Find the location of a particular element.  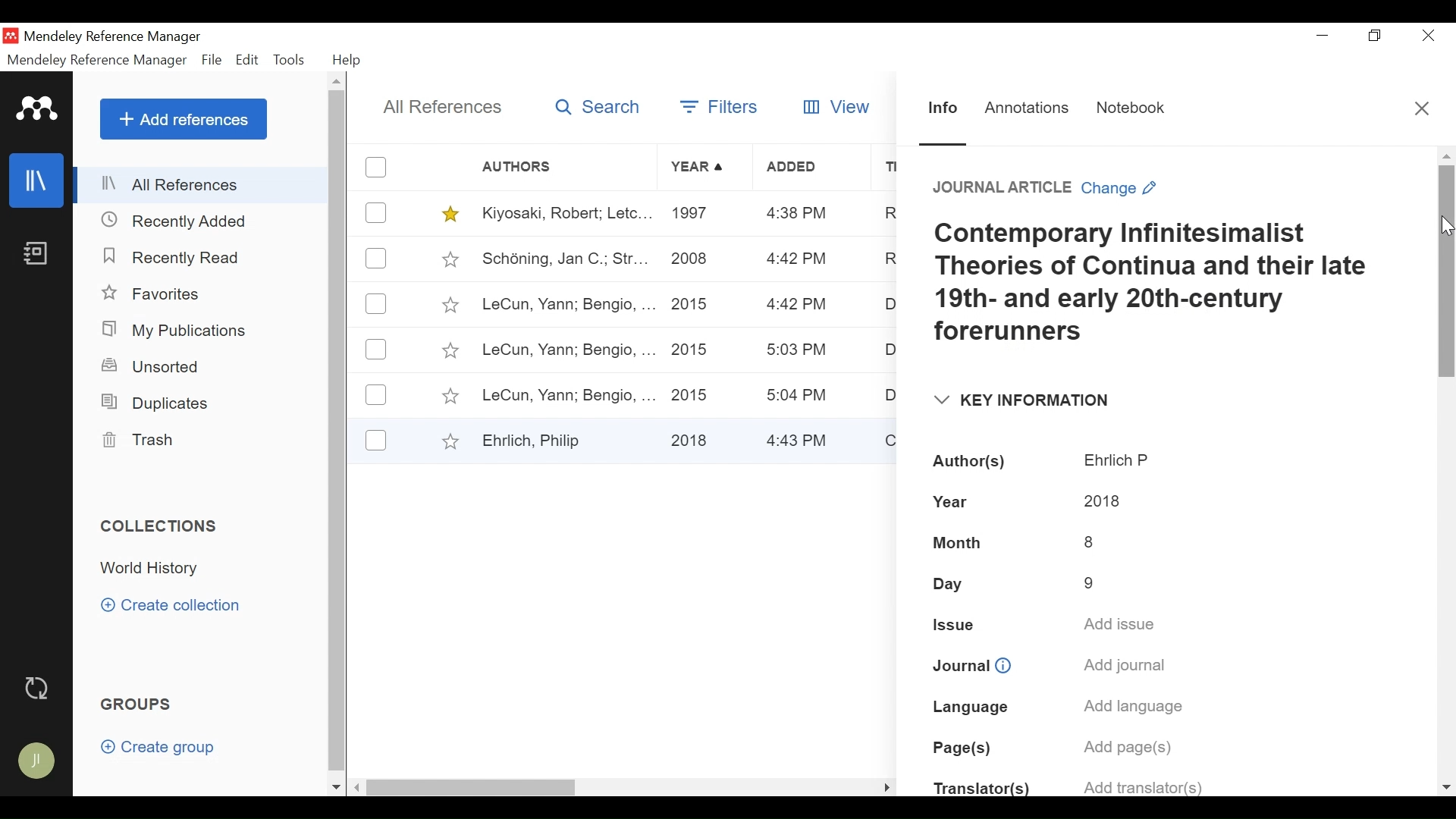

View is located at coordinates (839, 107).